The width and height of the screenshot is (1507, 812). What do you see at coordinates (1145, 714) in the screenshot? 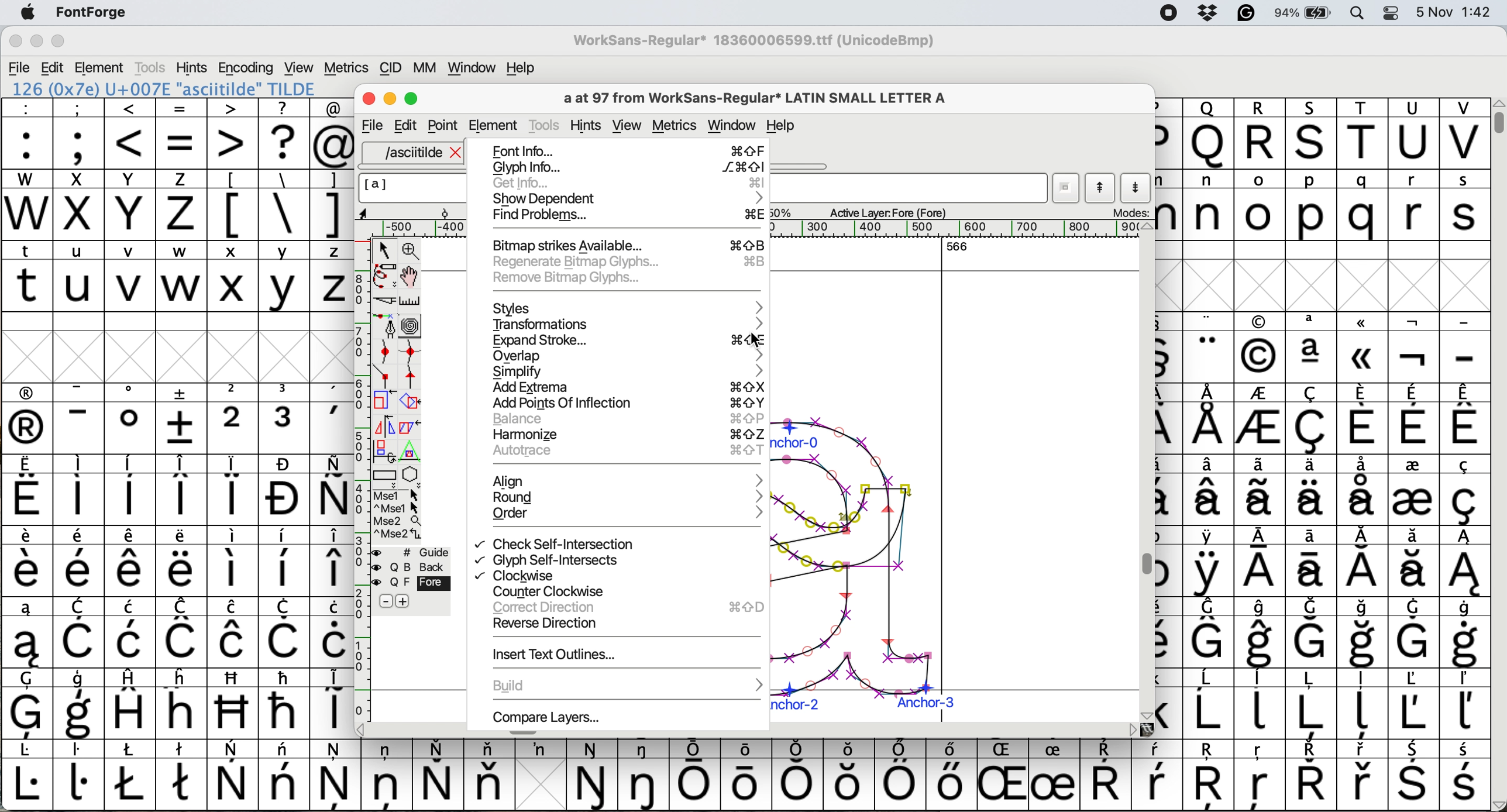
I see `scroll button` at bounding box center [1145, 714].